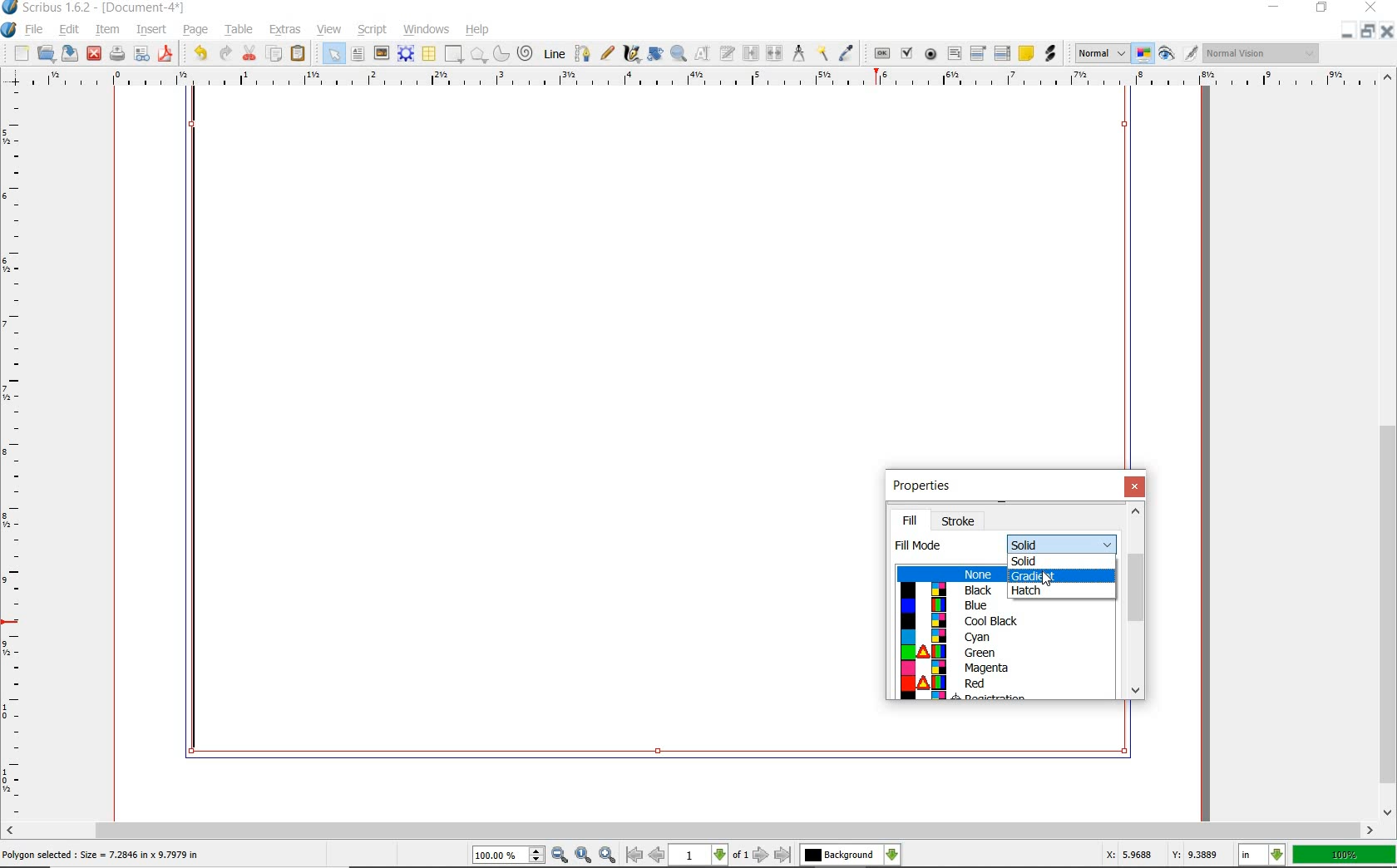  What do you see at coordinates (36, 31) in the screenshot?
I see `file` at bounding box center [36, 31].